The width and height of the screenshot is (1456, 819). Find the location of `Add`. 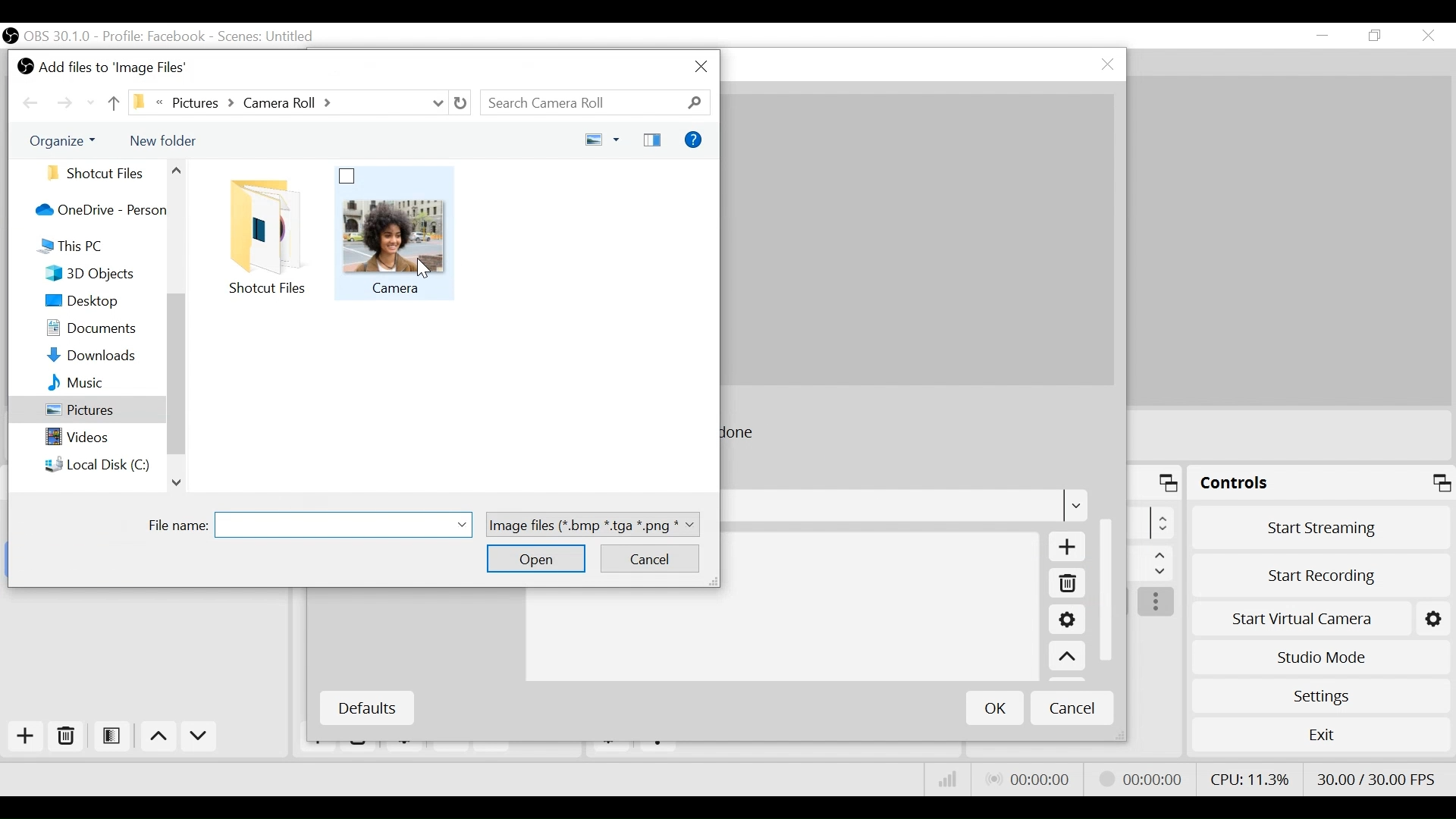

Add is located at coordinates (24, 736).